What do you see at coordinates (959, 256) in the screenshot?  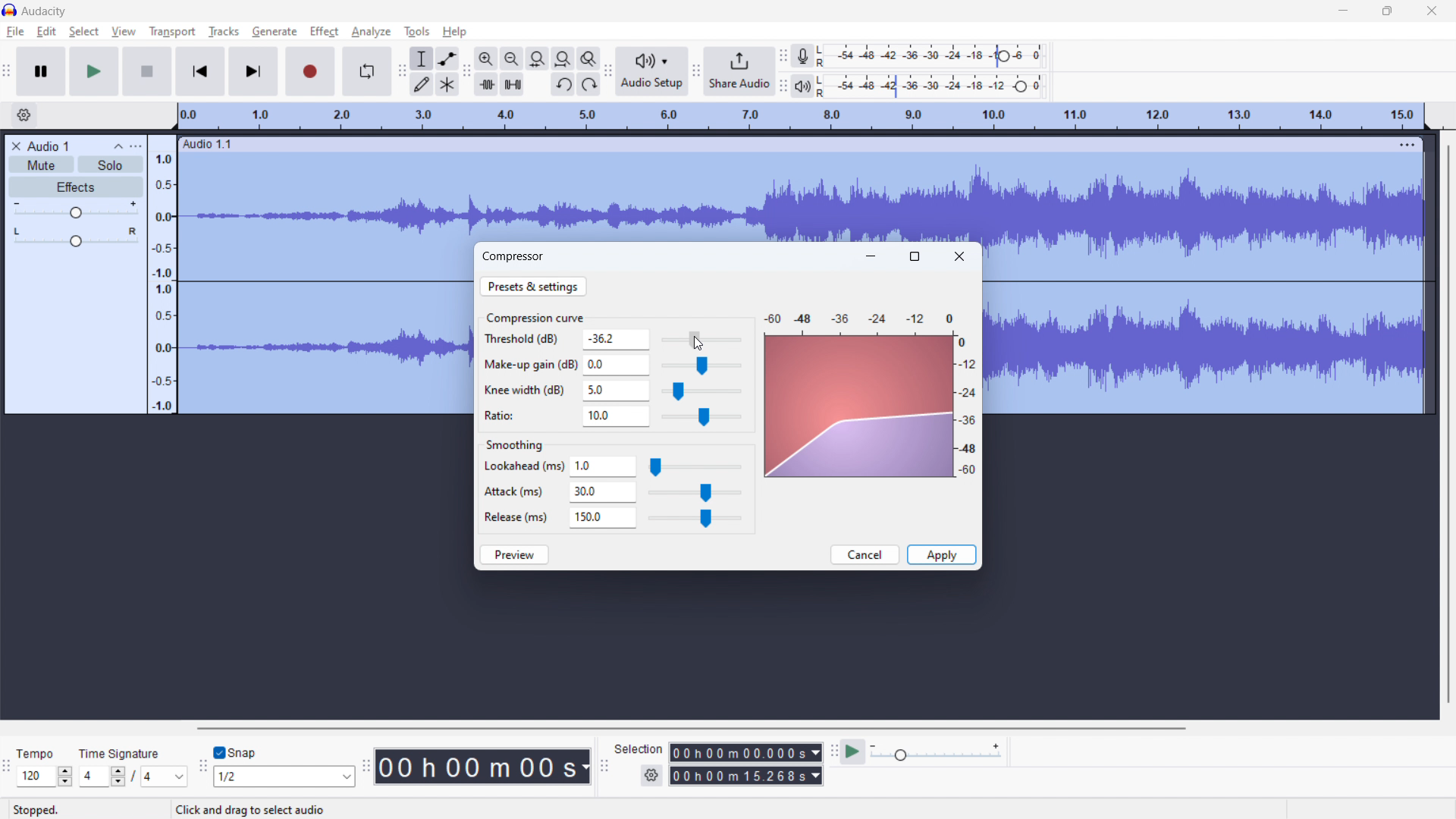 I see `close` at bounding box center [959, 256].